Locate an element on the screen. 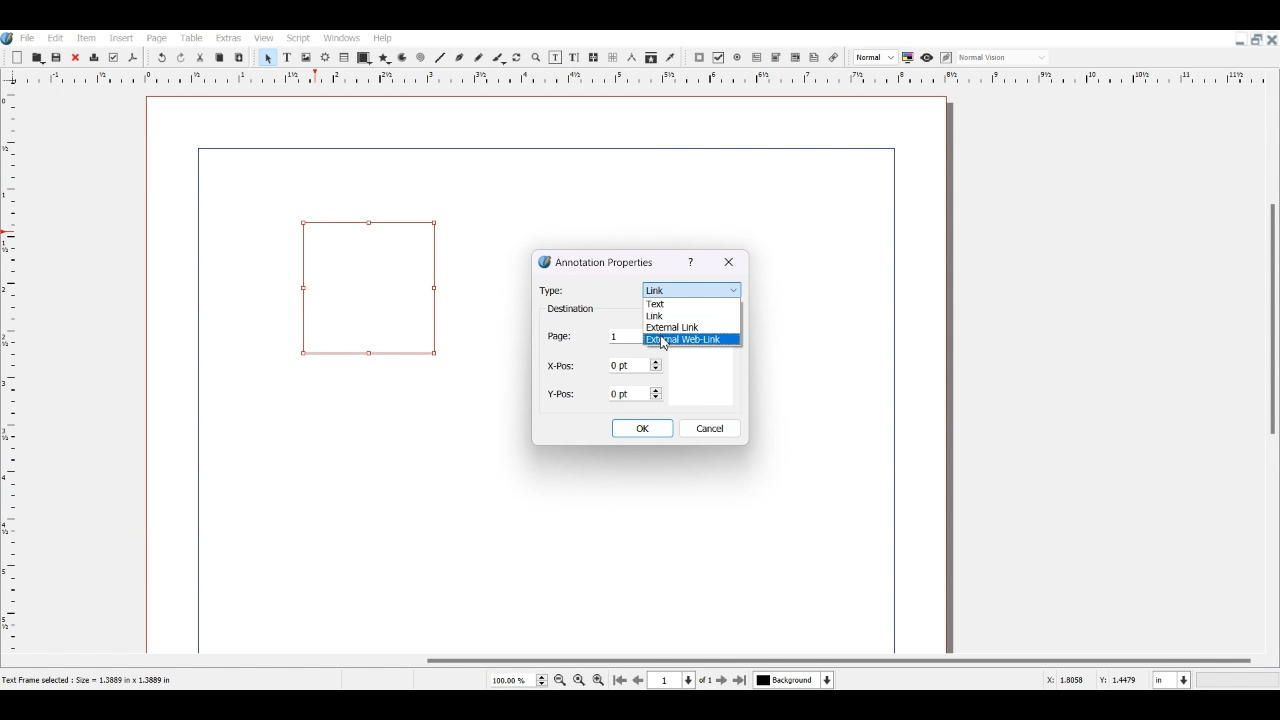 Image resolution: width=1280 pixels, height=720 pixels. Go to next page is located at coordinates (723, 680).